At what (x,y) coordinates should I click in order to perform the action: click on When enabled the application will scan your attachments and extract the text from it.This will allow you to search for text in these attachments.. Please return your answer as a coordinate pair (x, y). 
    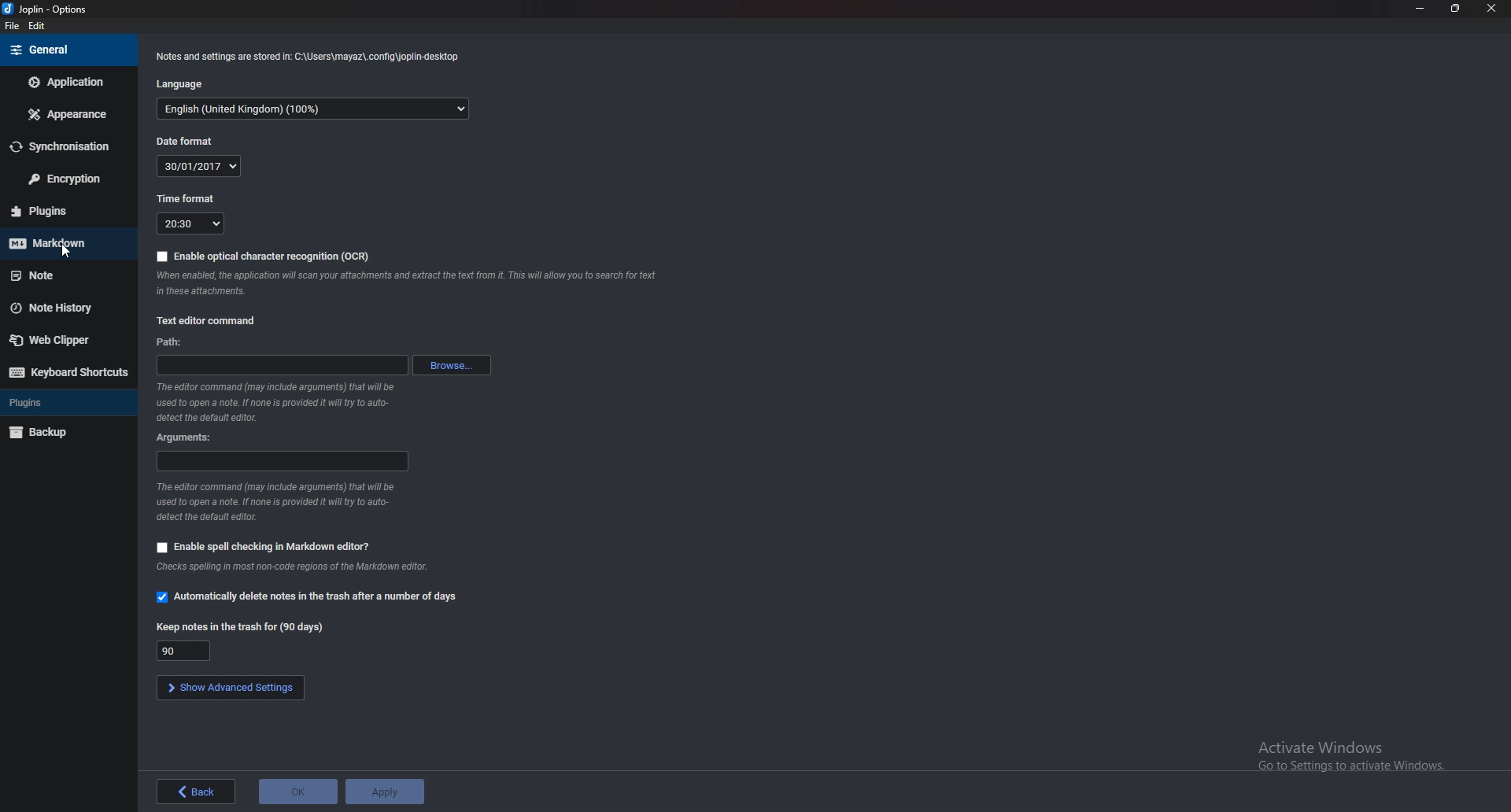
    Looking at the image, I should click on (406, 286).